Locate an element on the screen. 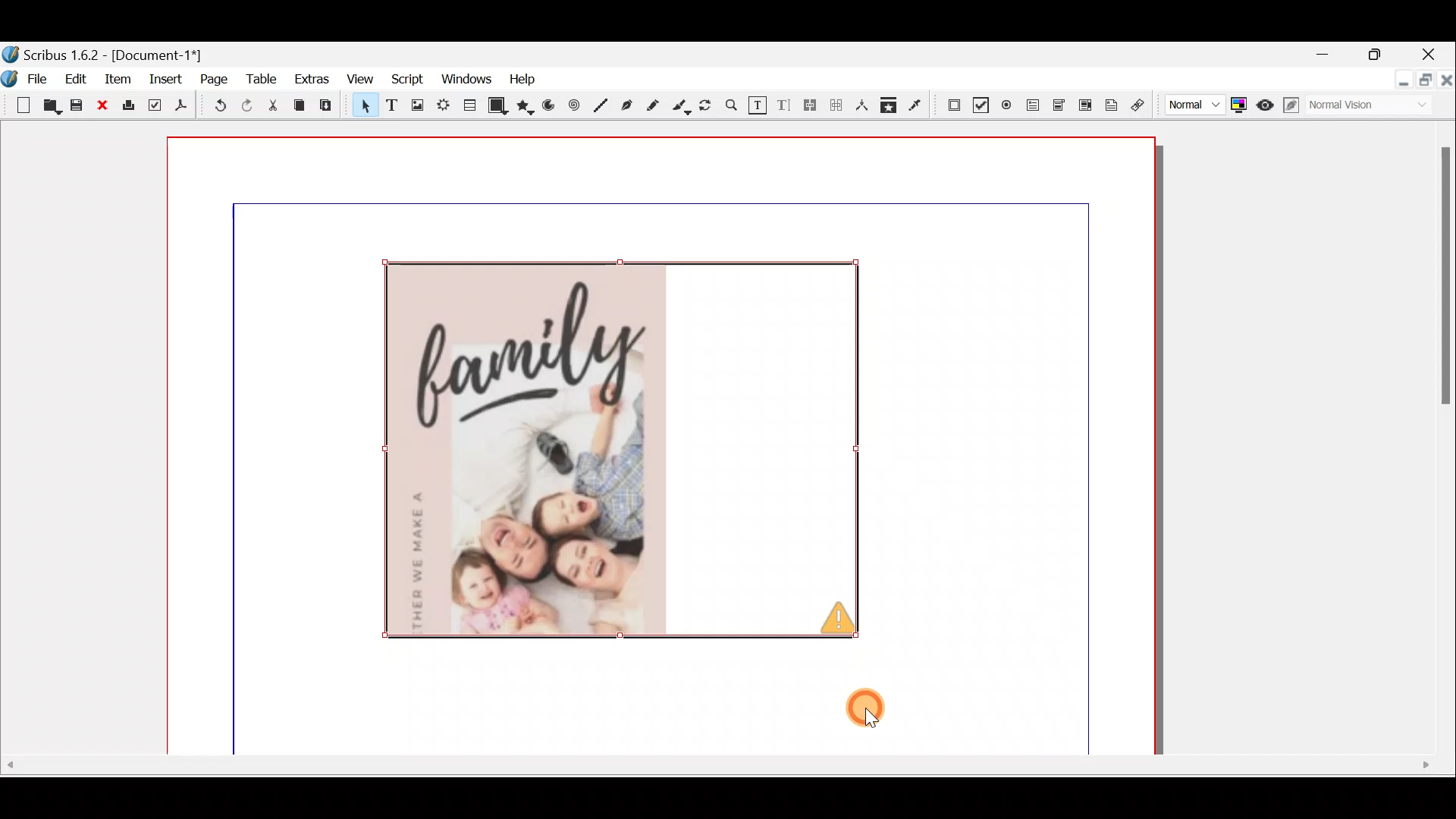 The image size is (1456, 819). Print is located at coordinates (127, 106).